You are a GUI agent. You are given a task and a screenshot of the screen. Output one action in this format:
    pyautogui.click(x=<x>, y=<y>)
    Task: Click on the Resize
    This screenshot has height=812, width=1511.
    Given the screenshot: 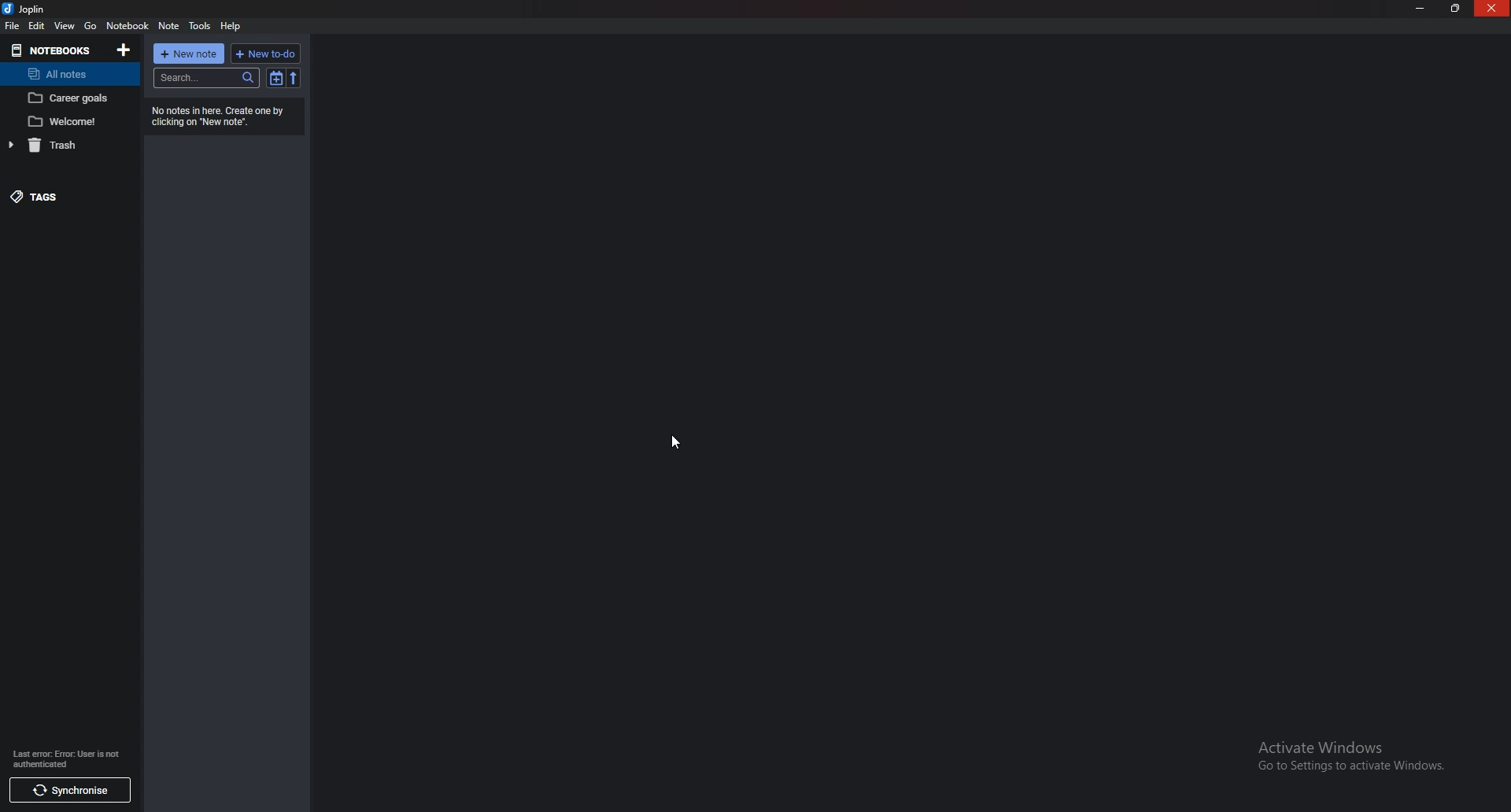 What is the action you would take?
    pyautogui.click(x=1454, y=8)
    